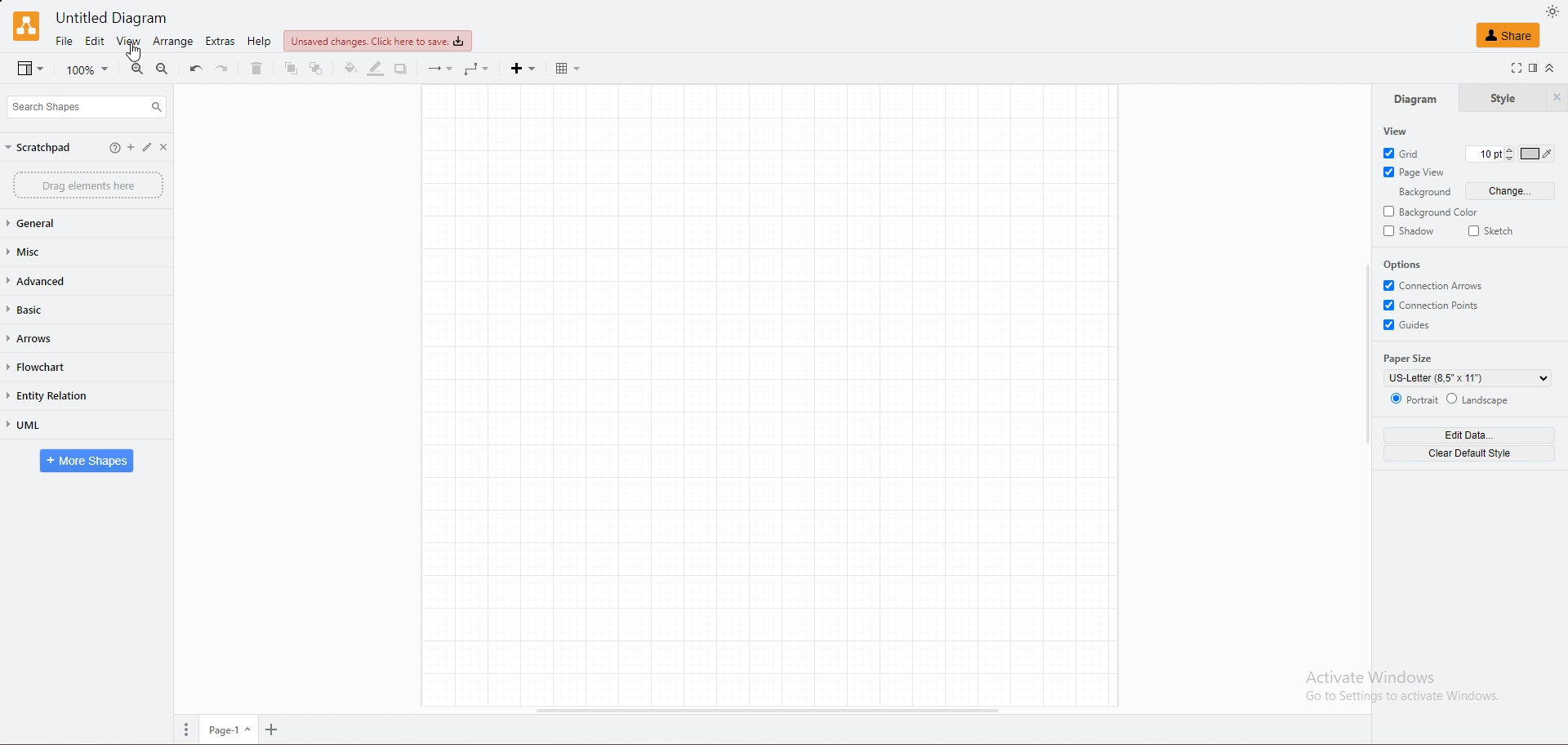  I want to click on current grid pt 10 pt, so click(1482, 153).